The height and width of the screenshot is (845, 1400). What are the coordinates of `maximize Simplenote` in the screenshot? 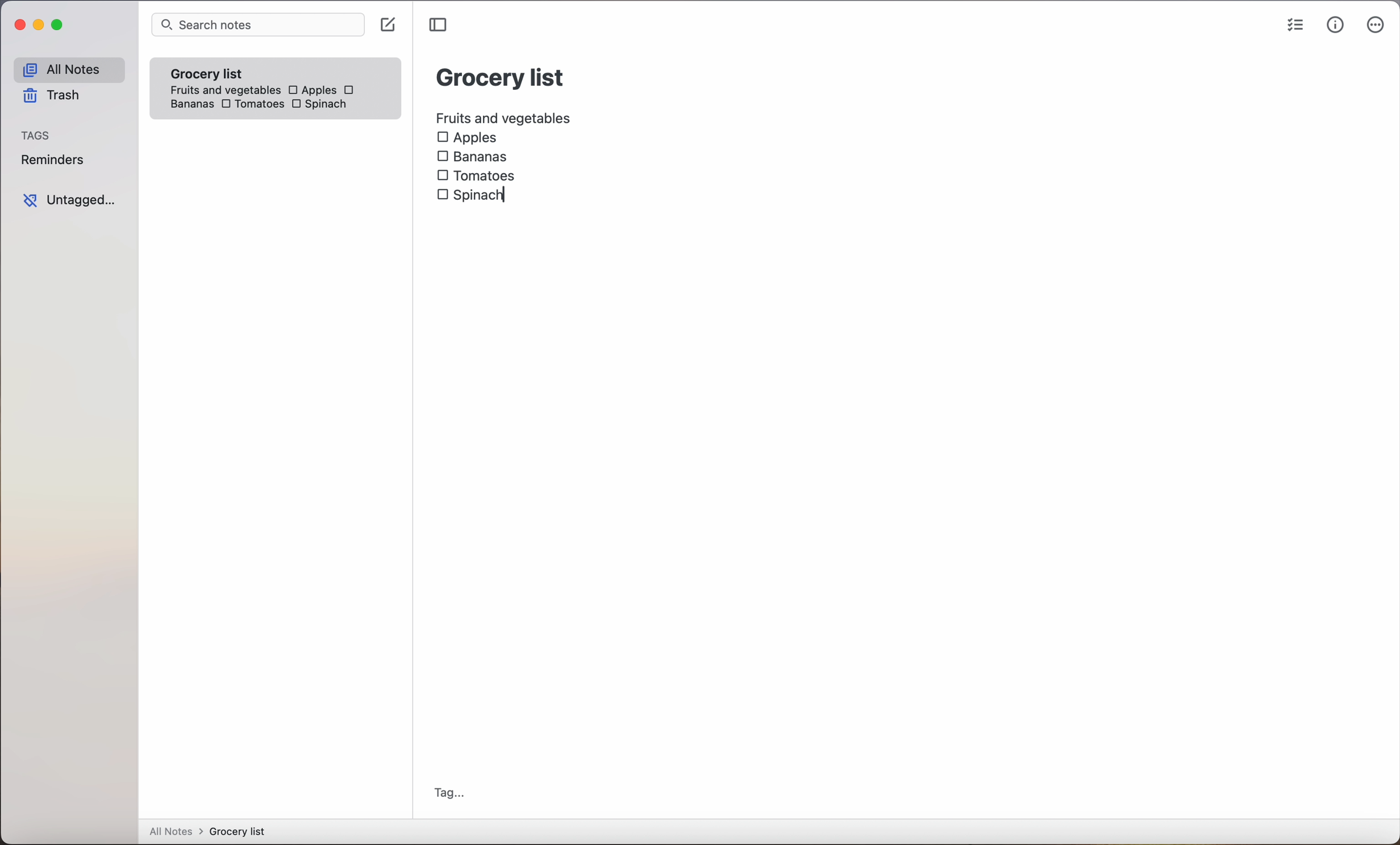 It's located at (60, 26).